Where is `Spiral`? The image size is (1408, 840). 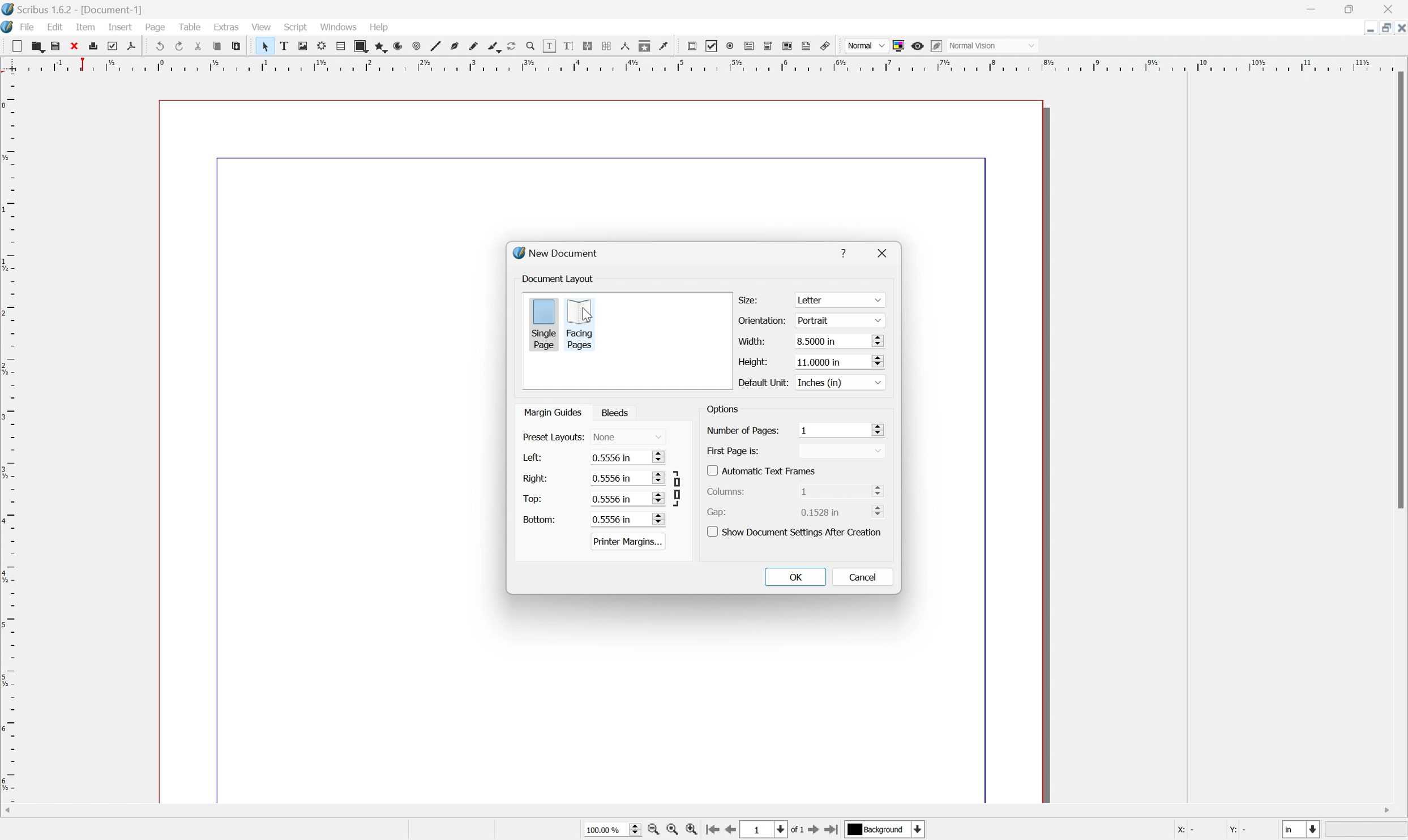 Spiral is located at coordinates (415, 46).